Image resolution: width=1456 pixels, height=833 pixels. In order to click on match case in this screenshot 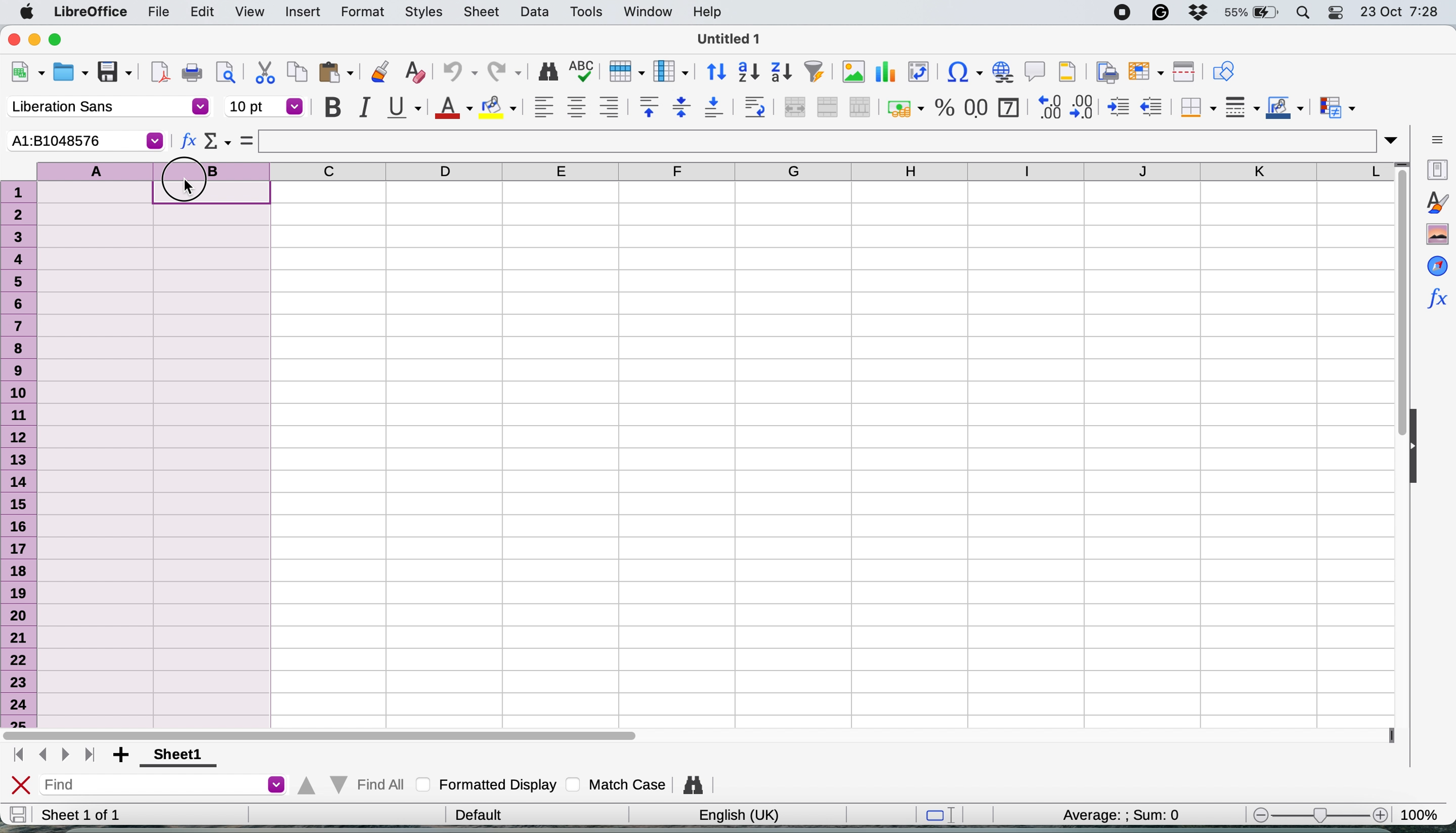, I will do `click(619, 785)`.